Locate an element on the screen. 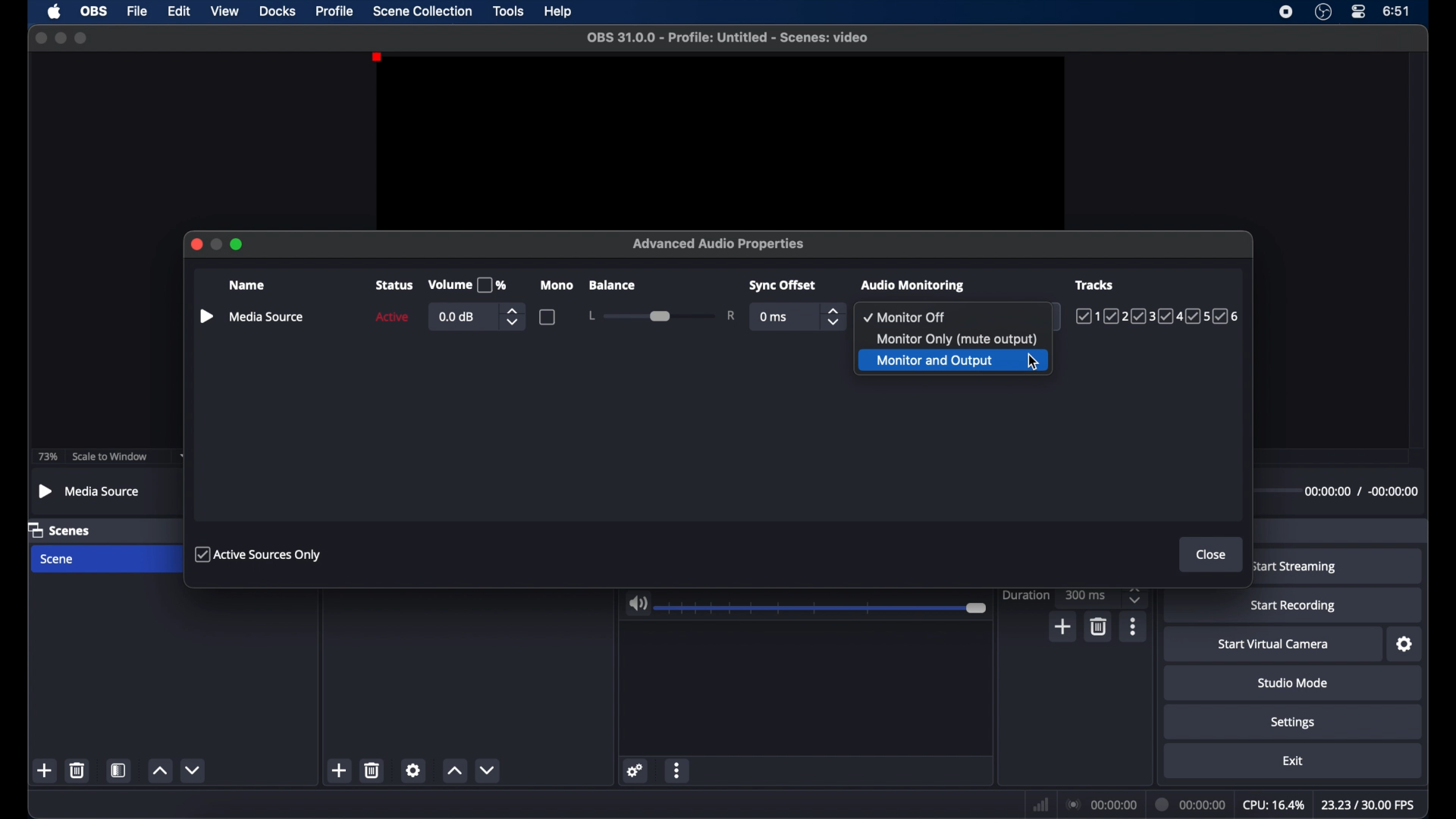 This screenshot has height=819, width=1456. active is located at coordinates (392, 317).